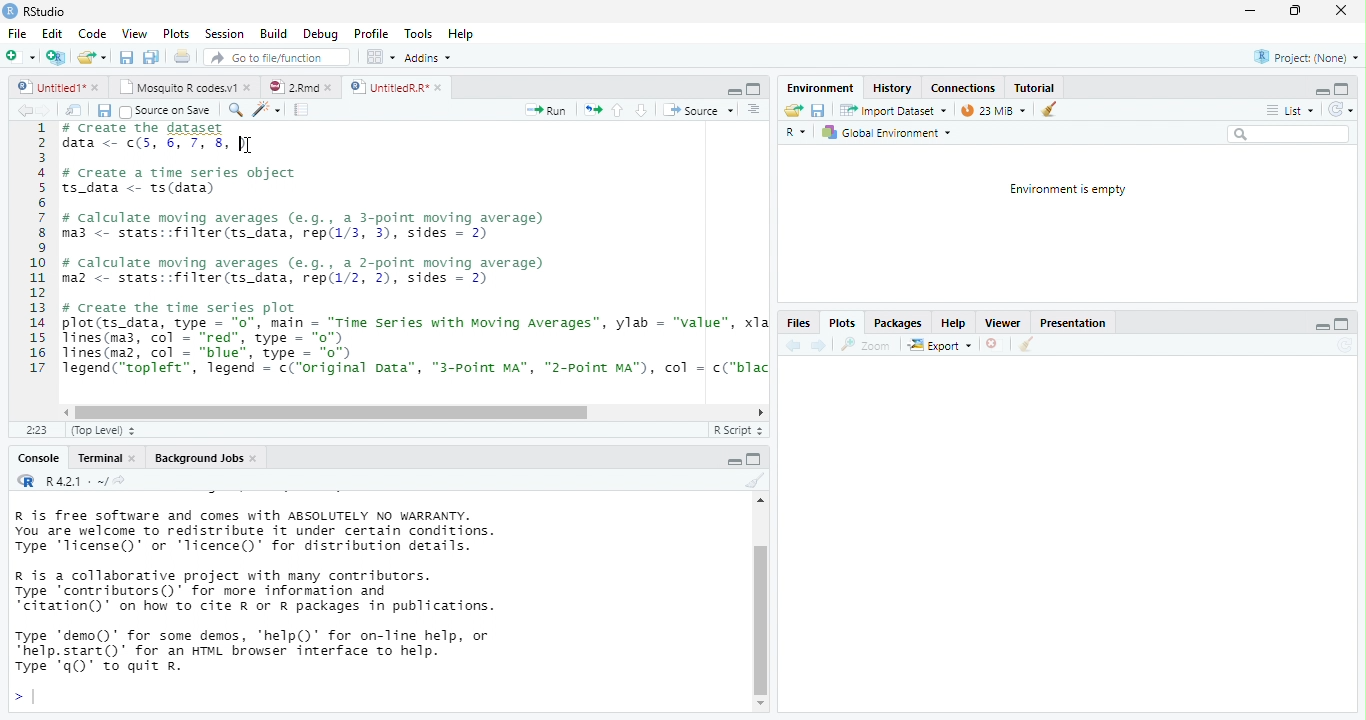 The width and height of the screenshot is (1366, 720). Describe the element at coordinates (1289, 111) in the screenshot. I see `List` at that location.